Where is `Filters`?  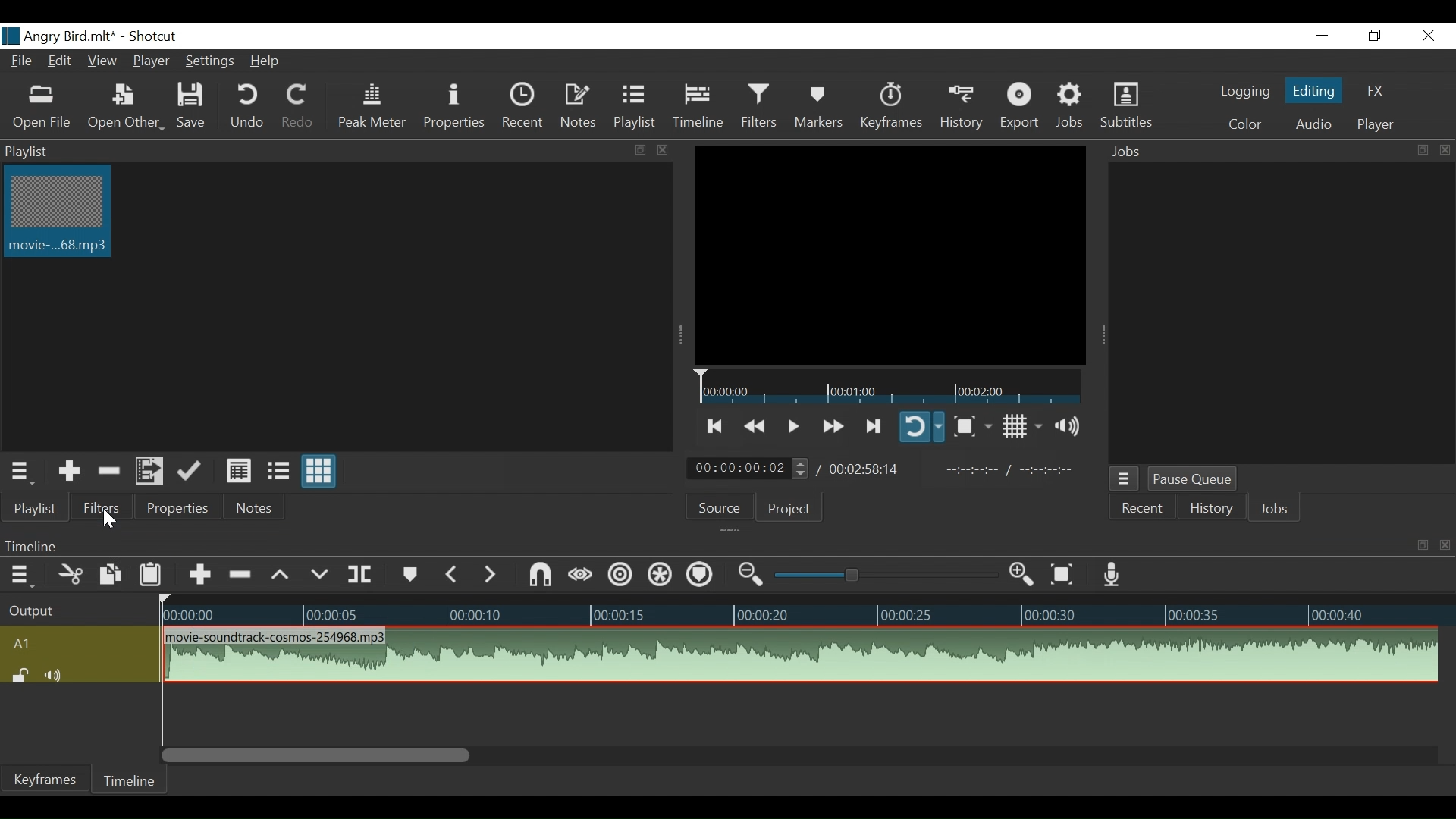
Filters is located at coordinates (108, 520).